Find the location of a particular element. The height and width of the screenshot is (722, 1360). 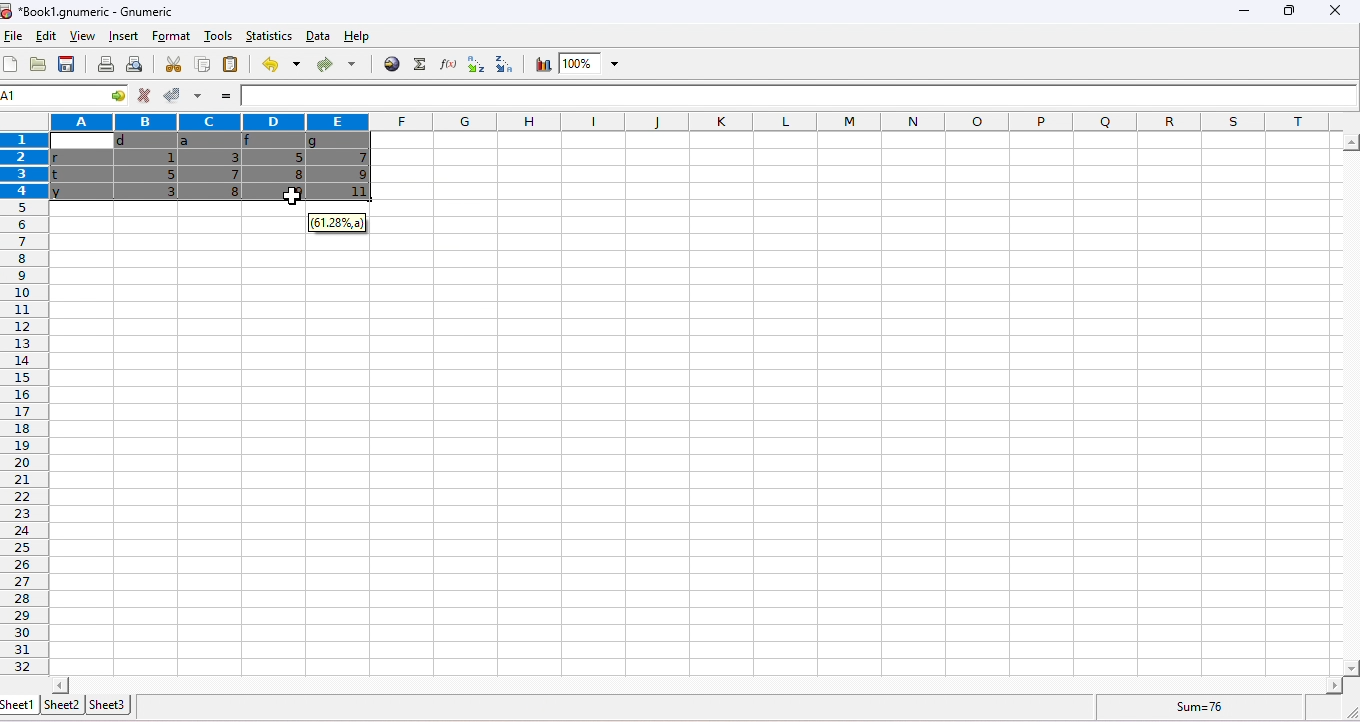

edit is located at coordinates (43, 37).